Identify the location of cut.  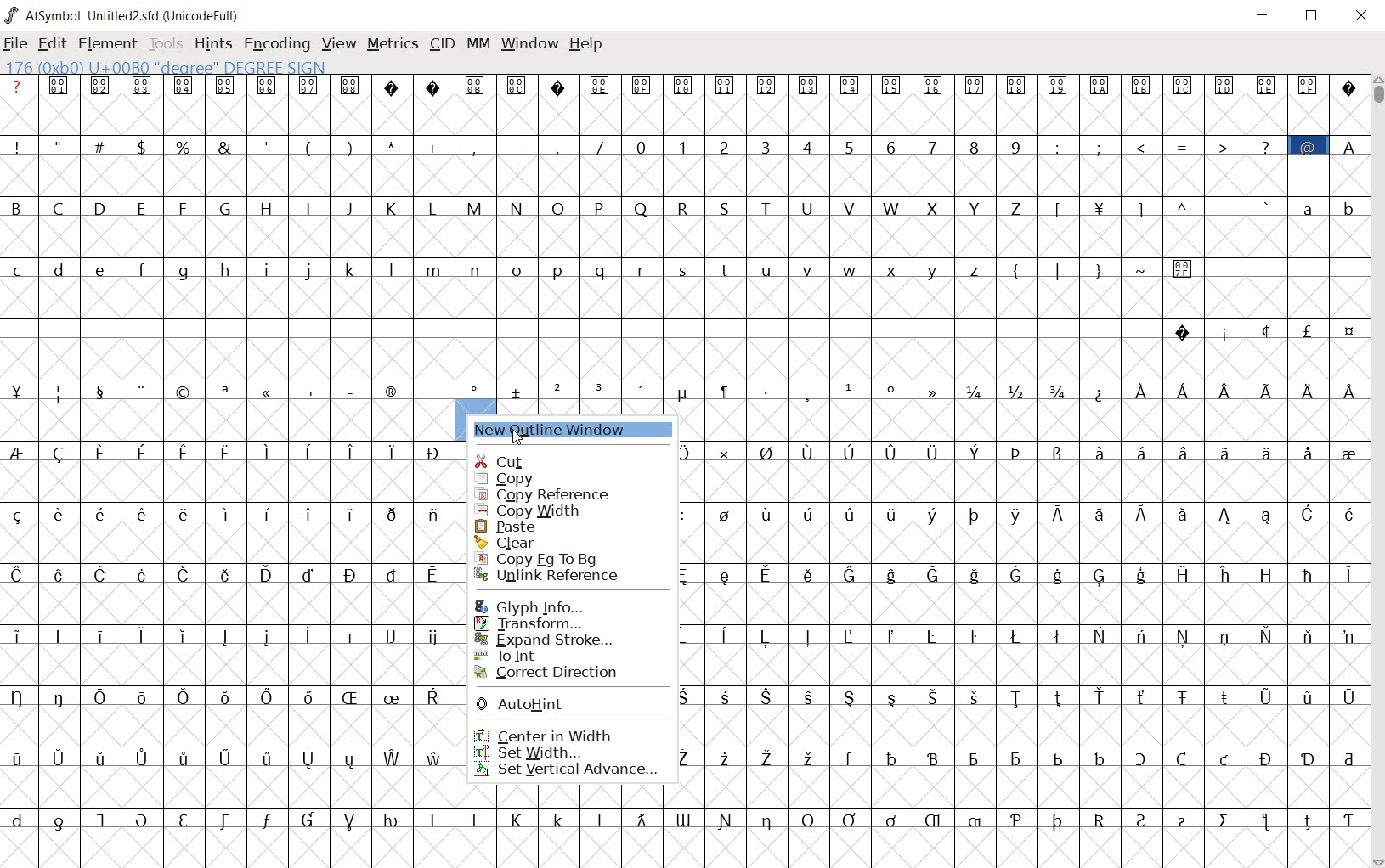
(525, 461).